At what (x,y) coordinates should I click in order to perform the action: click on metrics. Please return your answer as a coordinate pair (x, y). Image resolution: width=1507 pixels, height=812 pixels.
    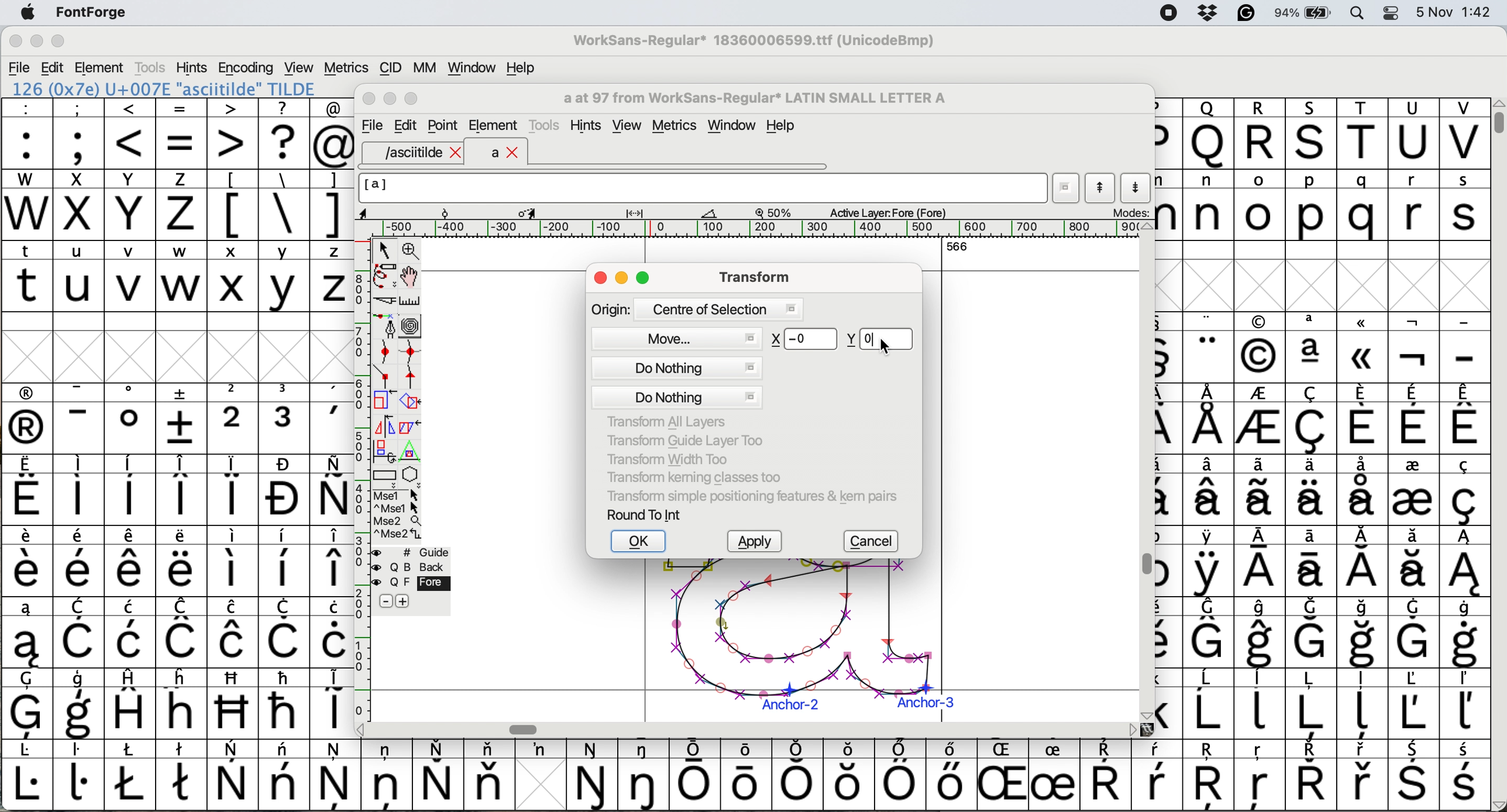
    Looking at the image, I should click on (346, 68).